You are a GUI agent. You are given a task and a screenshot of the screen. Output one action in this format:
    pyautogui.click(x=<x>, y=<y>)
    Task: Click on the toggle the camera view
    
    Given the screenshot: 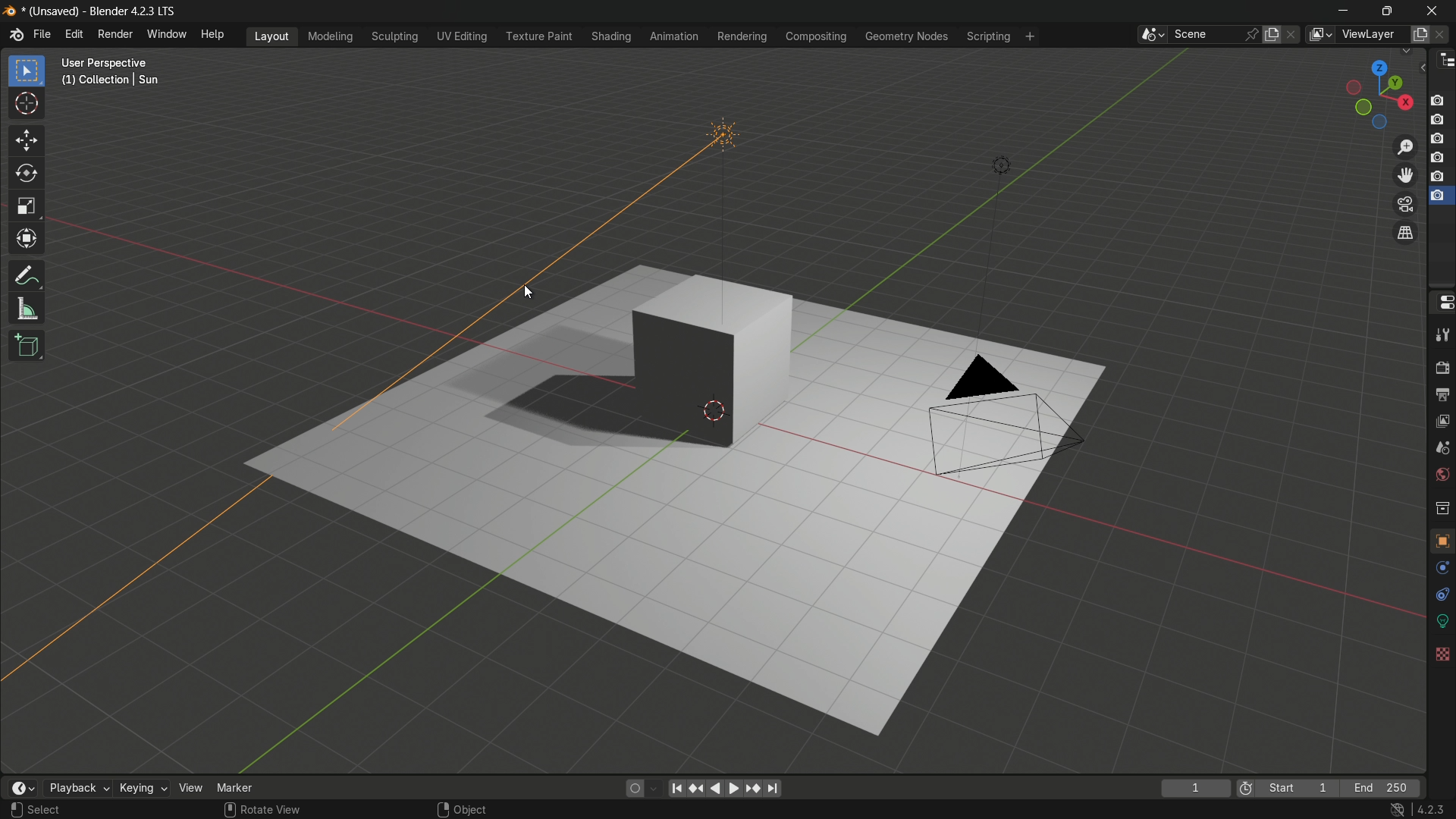 What is the action you would take?
    pyautogui.click(x=1406, y=205)
    